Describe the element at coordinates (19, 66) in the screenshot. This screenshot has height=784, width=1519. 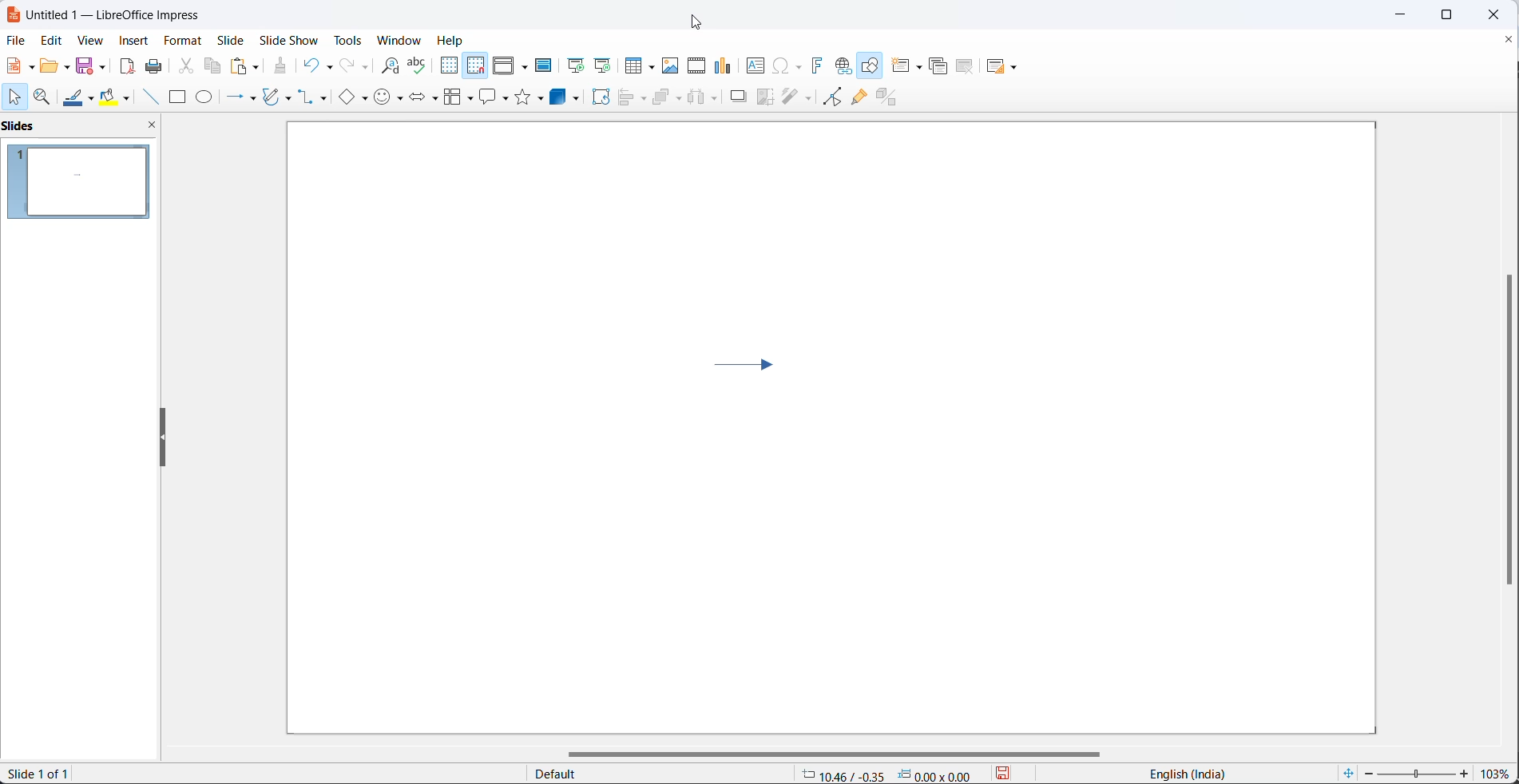
I see `file options` at that location.